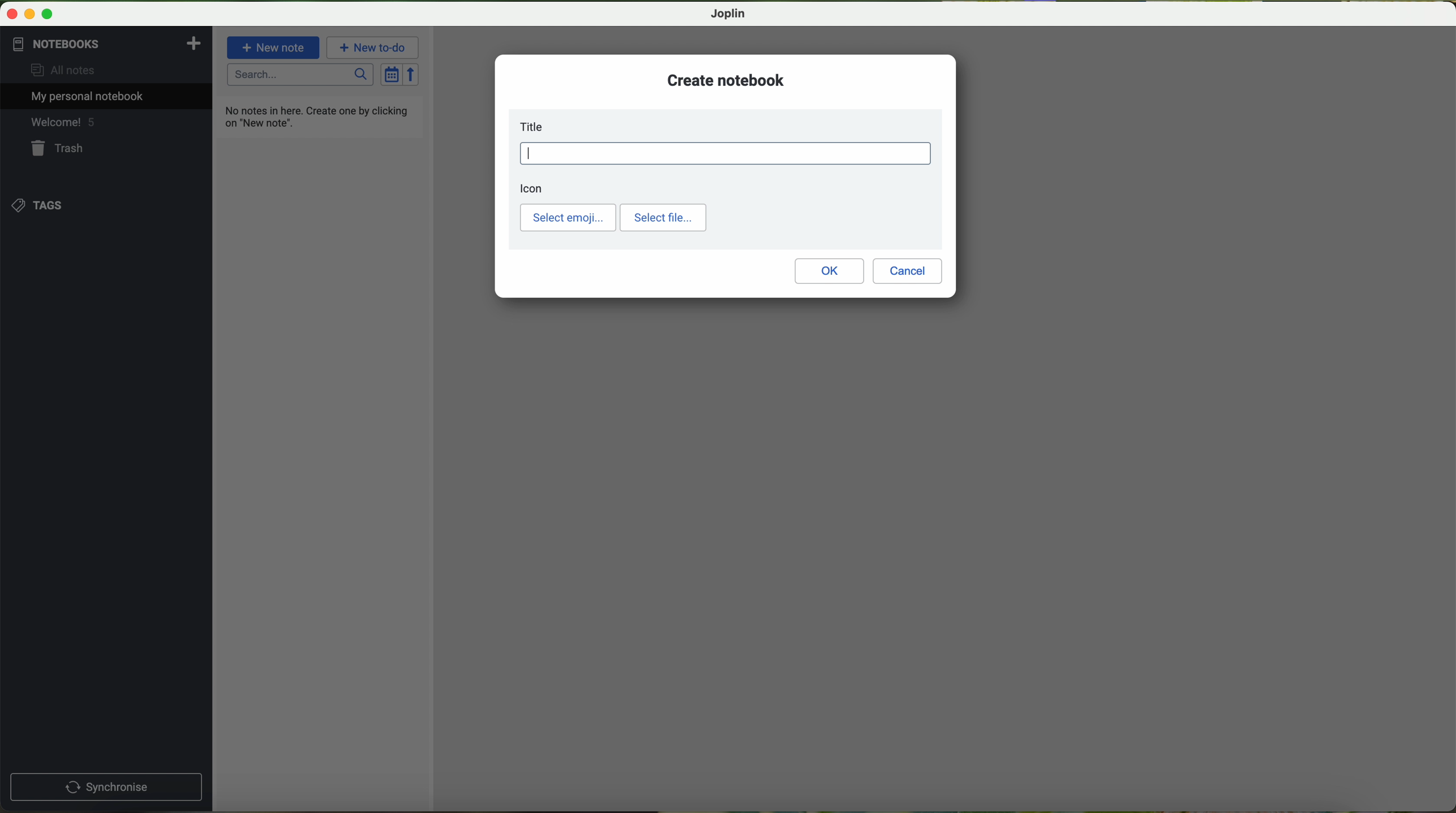 The height and width of the screenshot is (813, 1456). Describe the element at coordinates (31, 15) in the screenshot. I see `minimize` at that location.